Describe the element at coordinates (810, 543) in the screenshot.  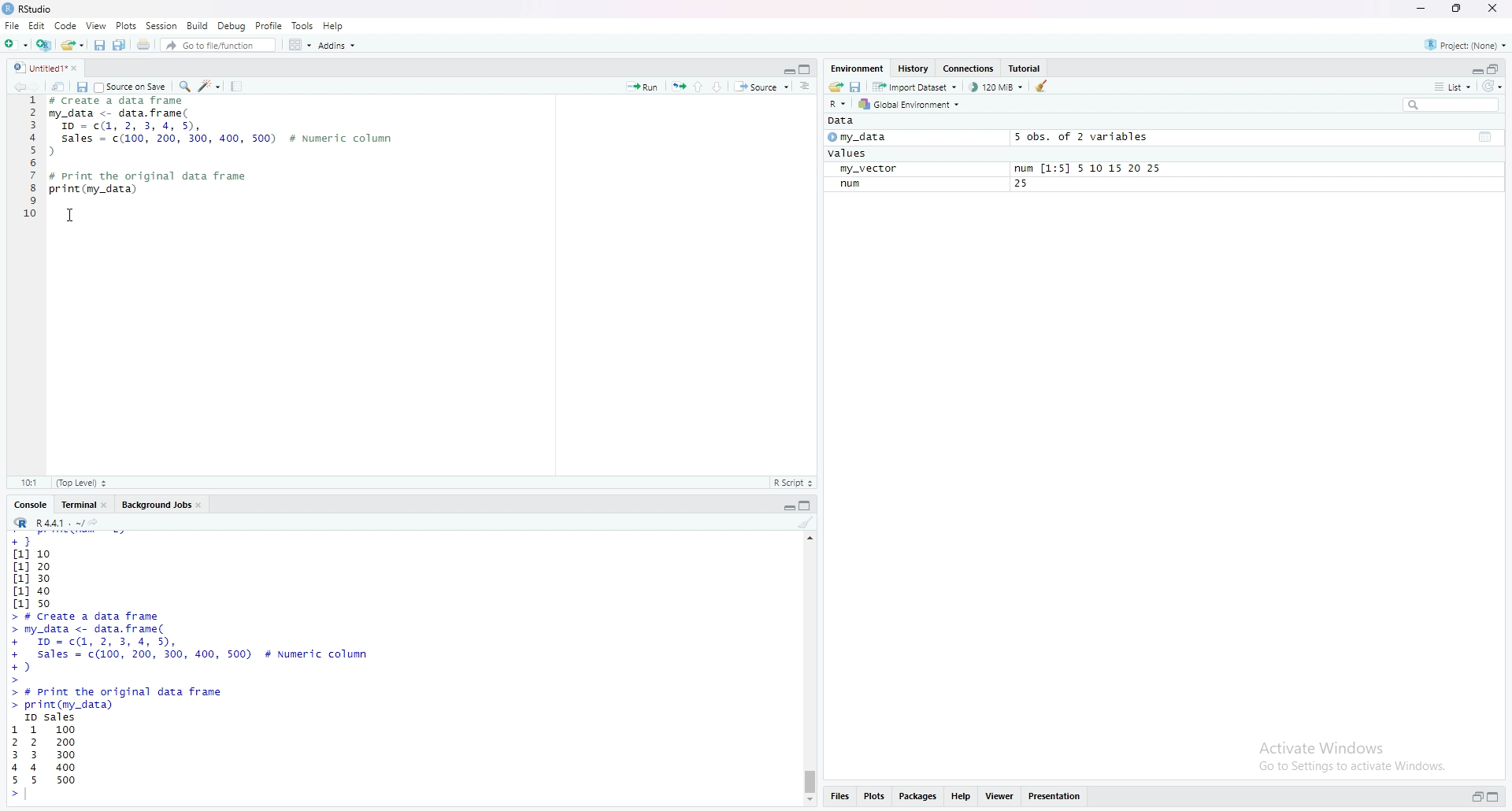
I see `move up` at that location.